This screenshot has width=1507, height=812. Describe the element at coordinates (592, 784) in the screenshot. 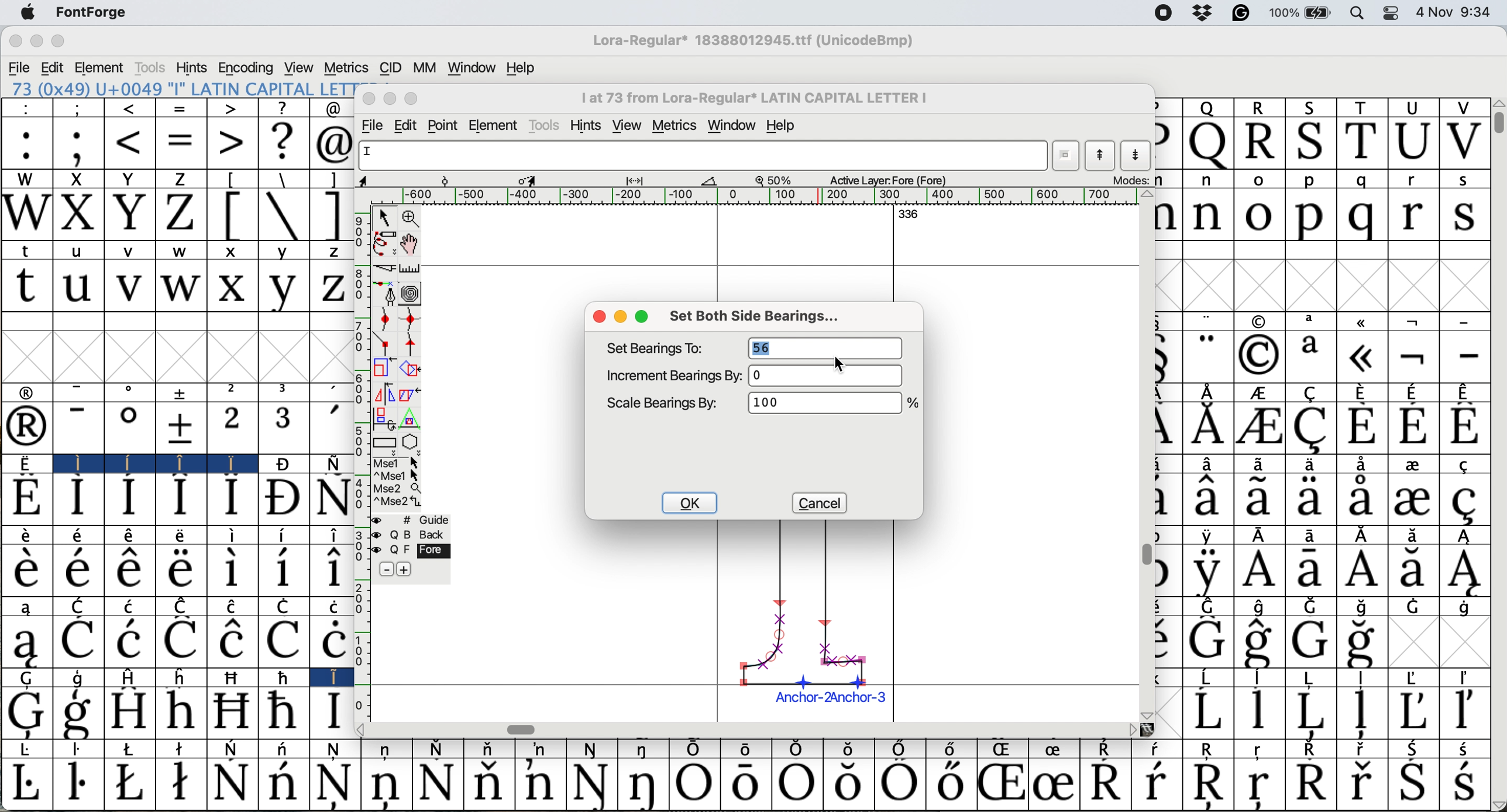

I see `Symbol` at that location.